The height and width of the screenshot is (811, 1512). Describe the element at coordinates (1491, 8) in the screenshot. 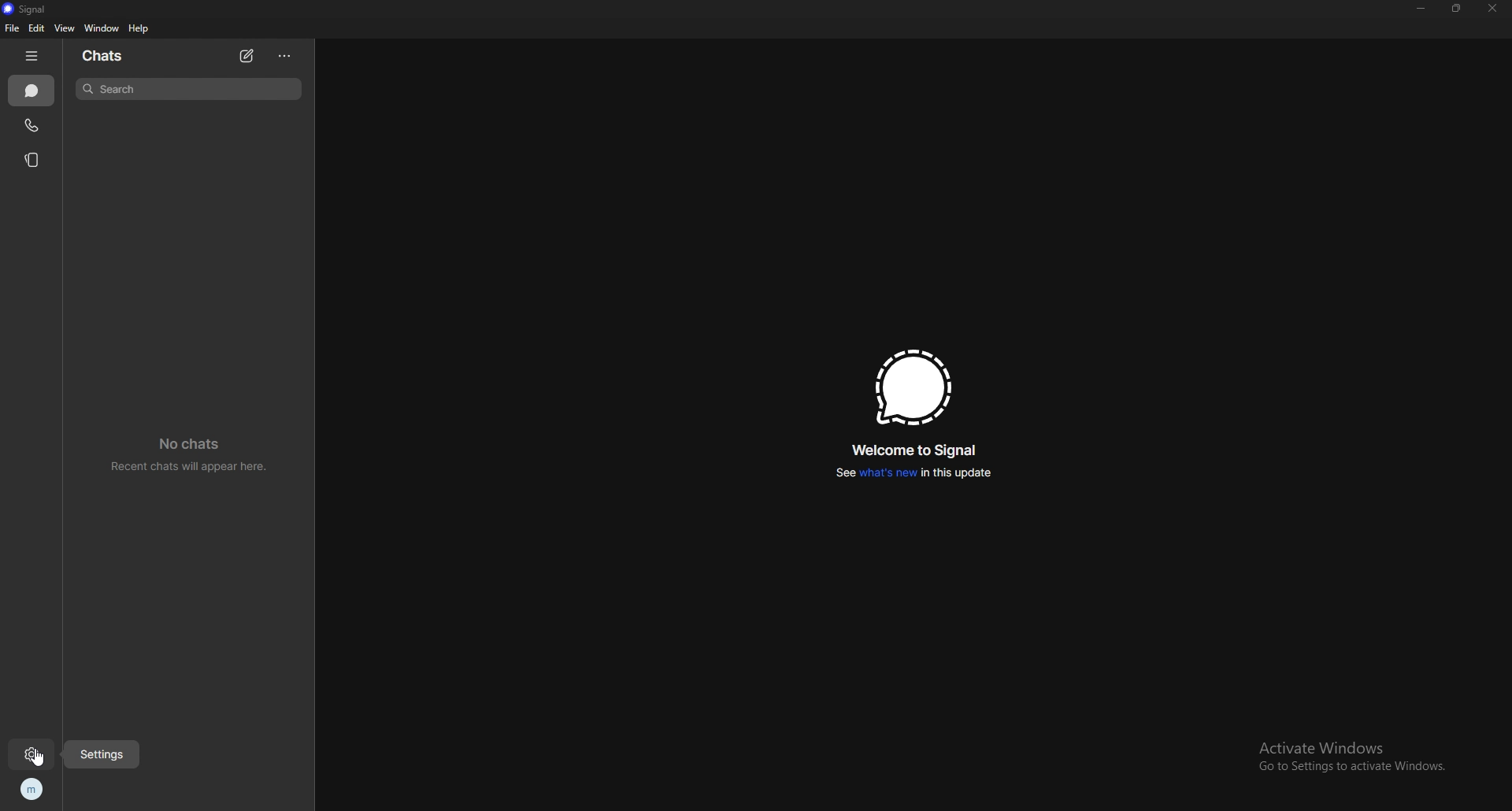

I see `close` at that location.